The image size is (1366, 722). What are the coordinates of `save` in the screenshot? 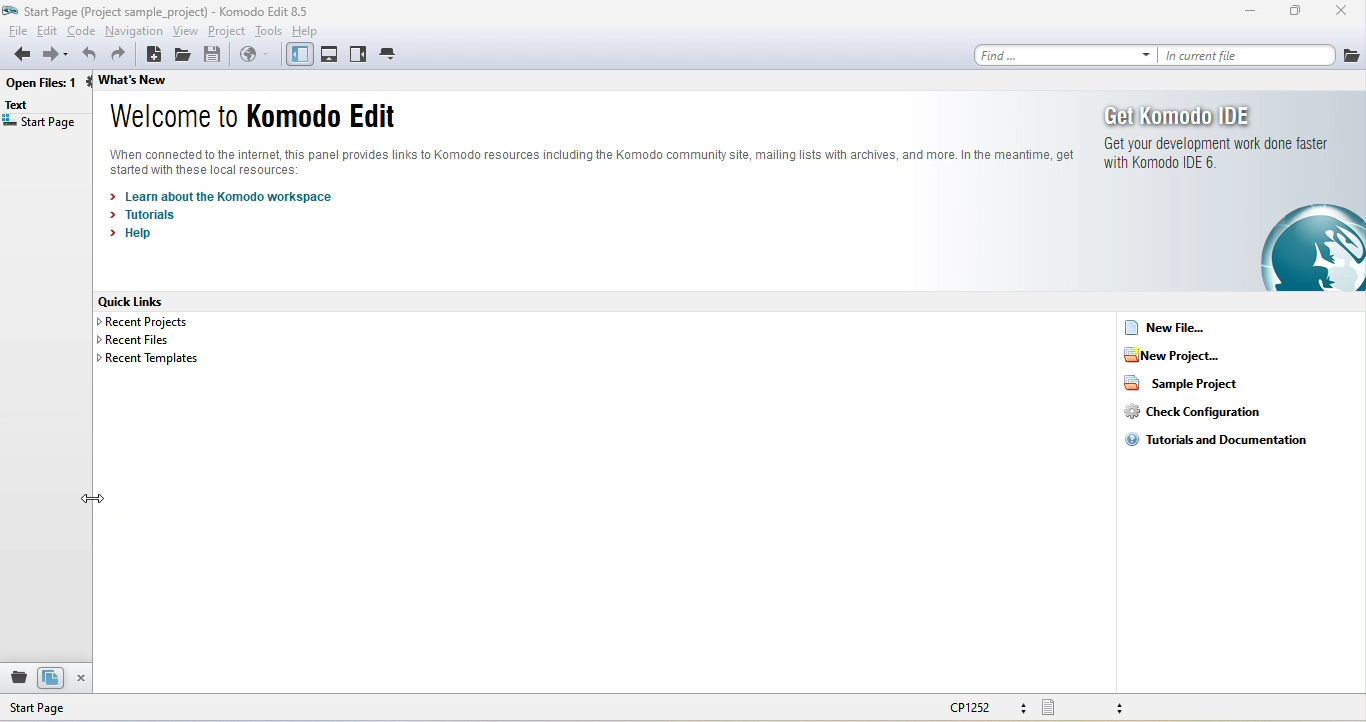 It's located at (215, 55).